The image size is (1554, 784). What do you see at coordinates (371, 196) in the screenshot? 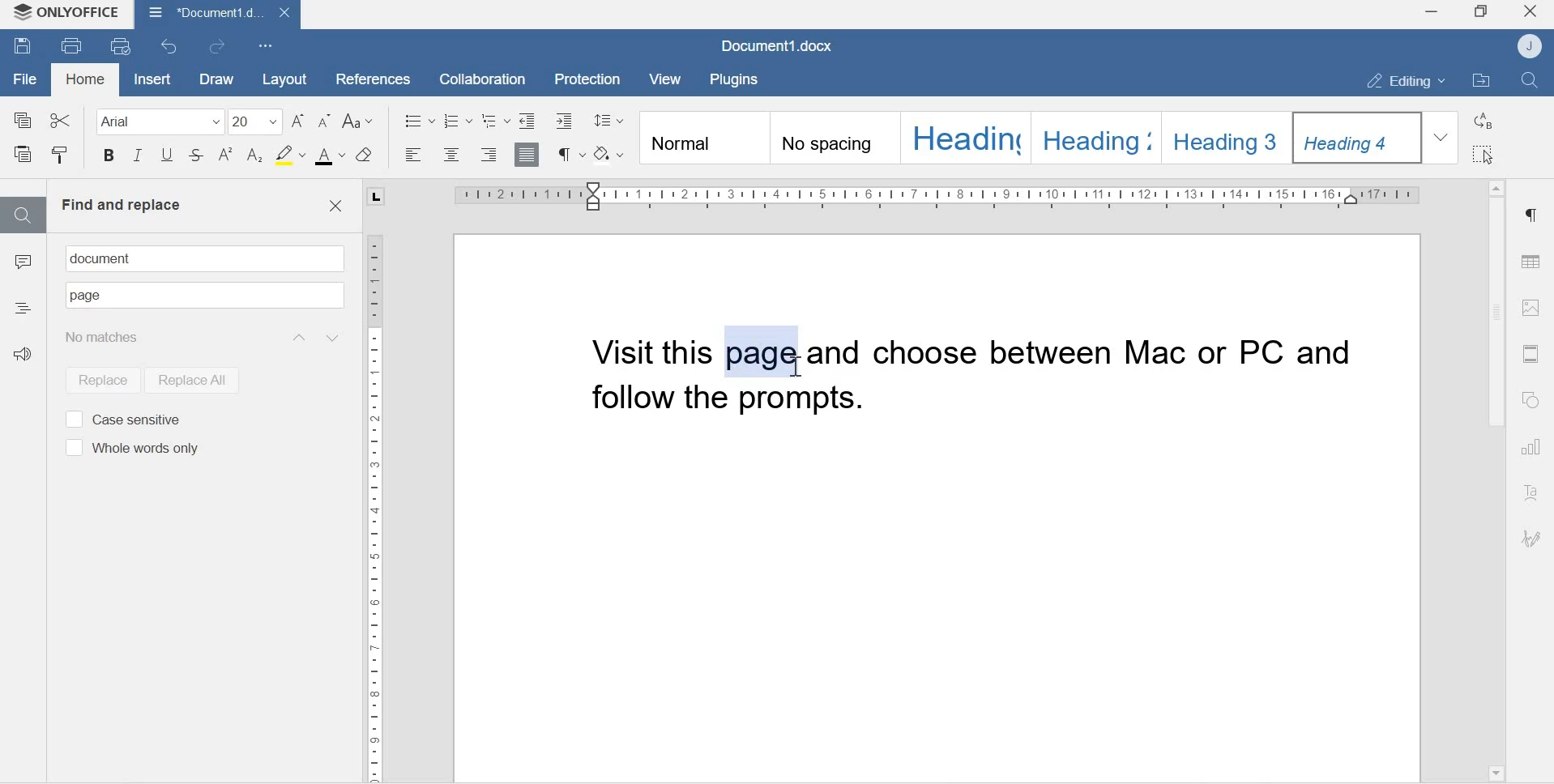
I see `tab stop` at bounding box center [371, 196].